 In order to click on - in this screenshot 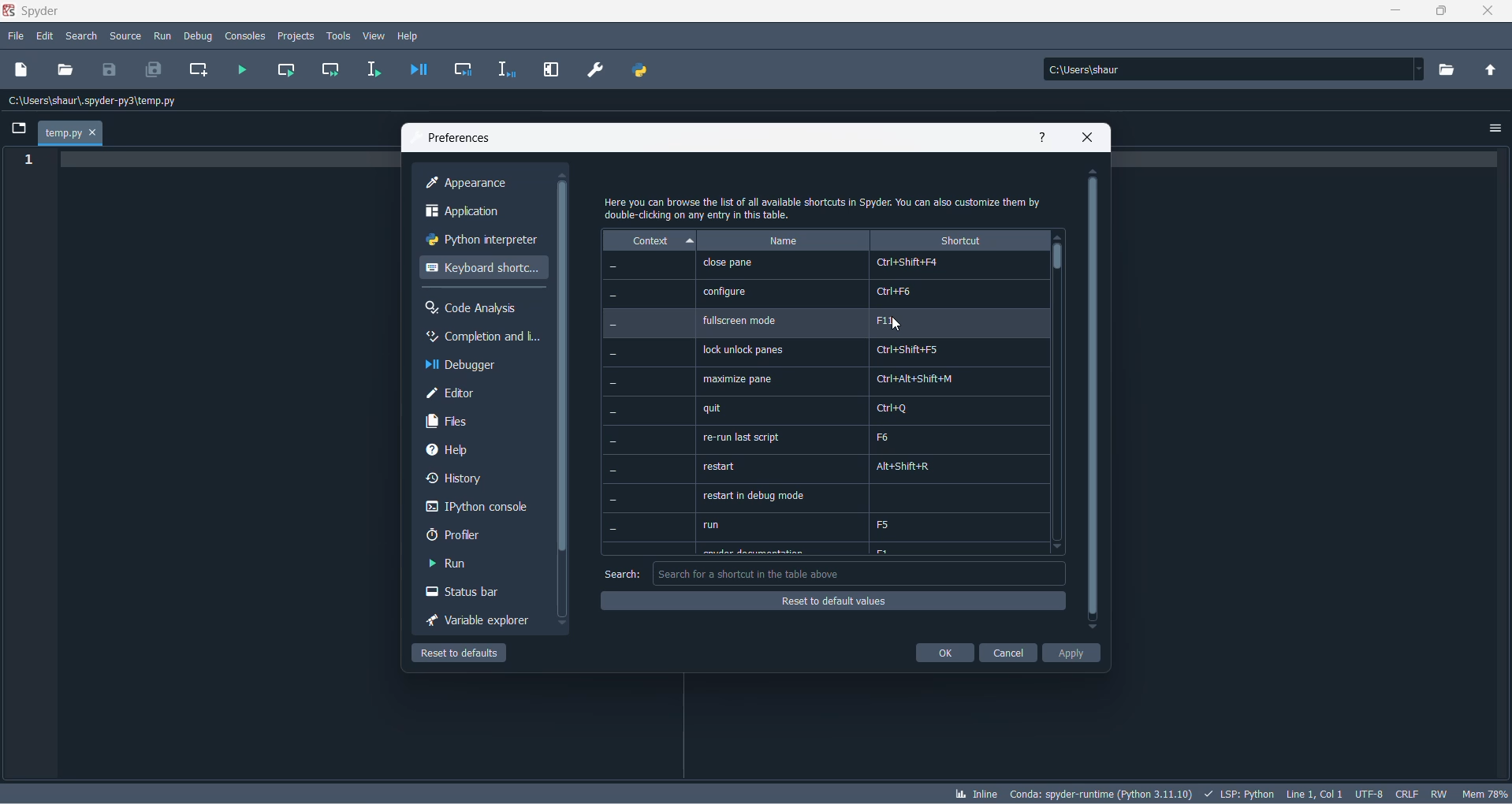, I will do `click(615, 471)`.